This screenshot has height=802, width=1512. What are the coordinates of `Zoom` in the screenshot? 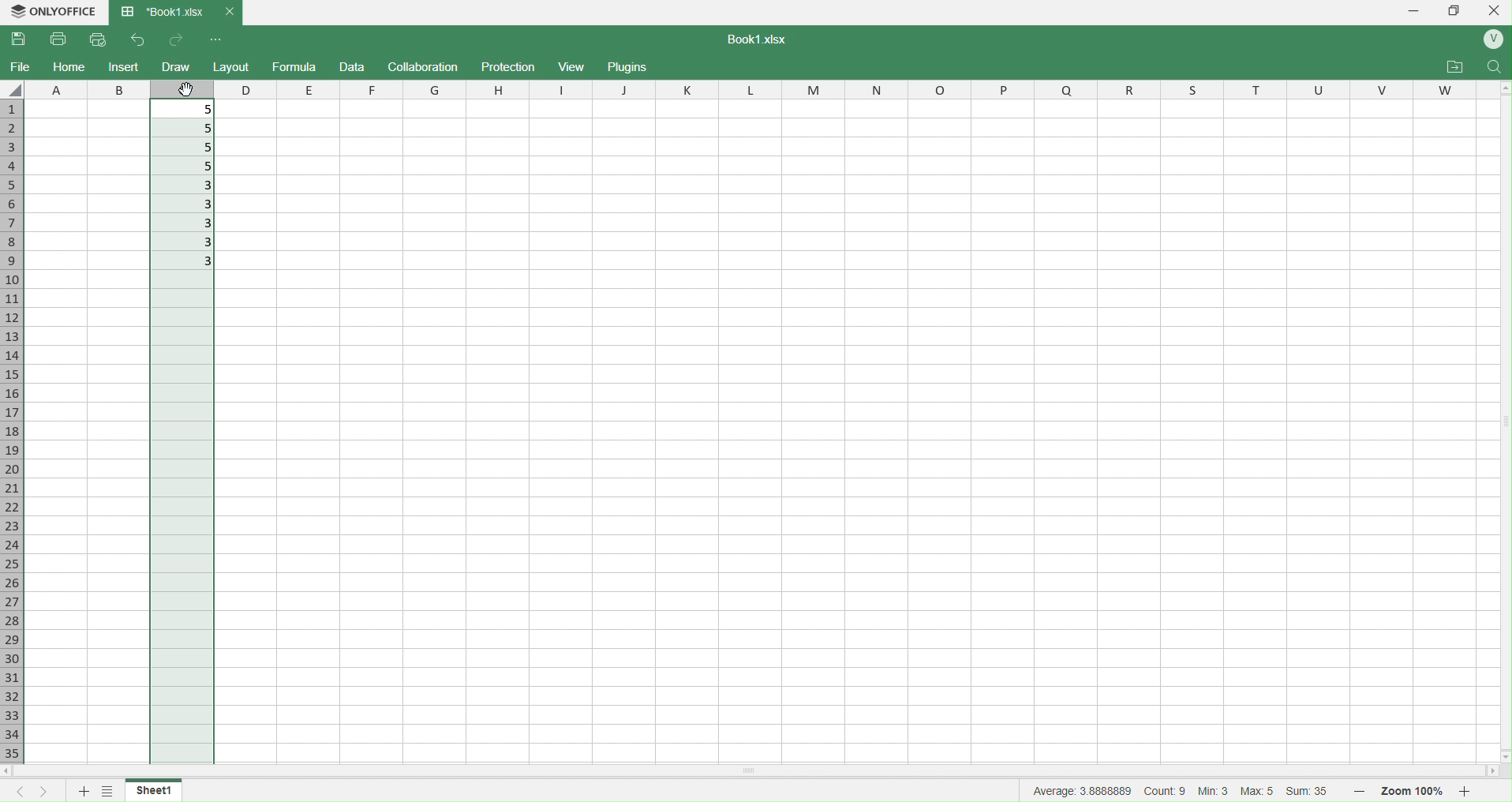 It's located at (1414, 792).